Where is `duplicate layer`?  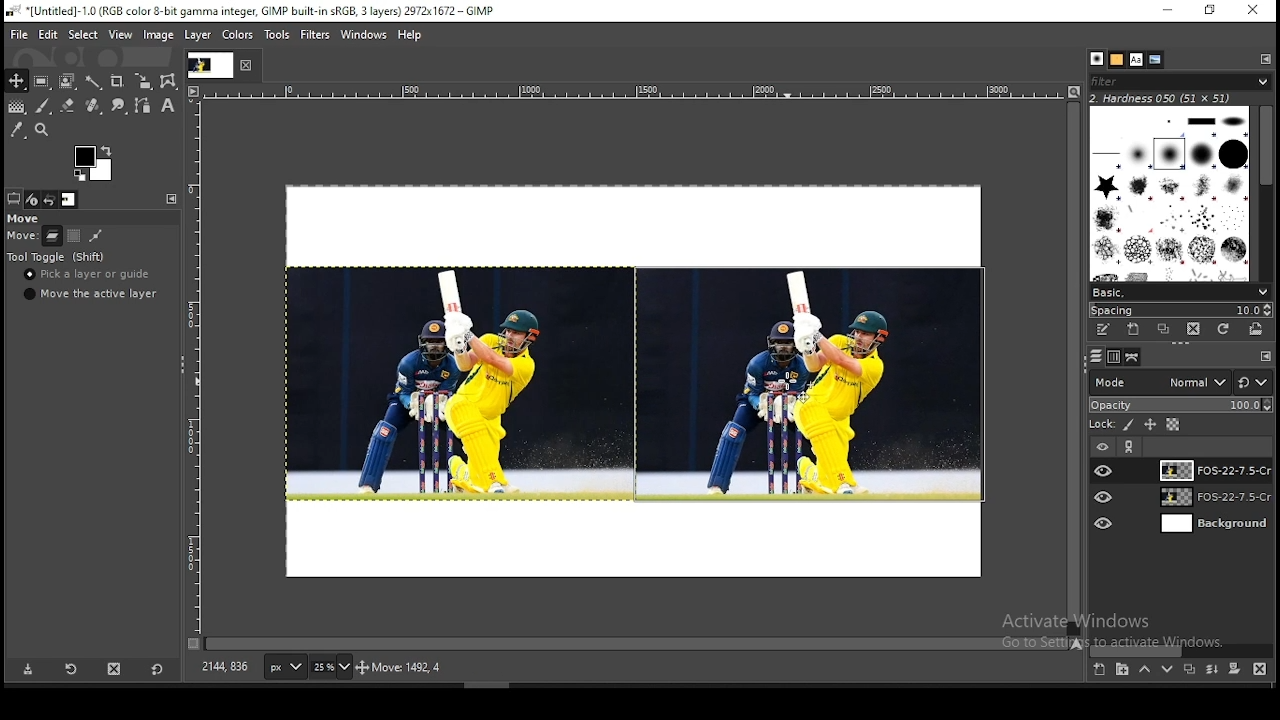 duplicate layer is located at coordinates (1186, 672).